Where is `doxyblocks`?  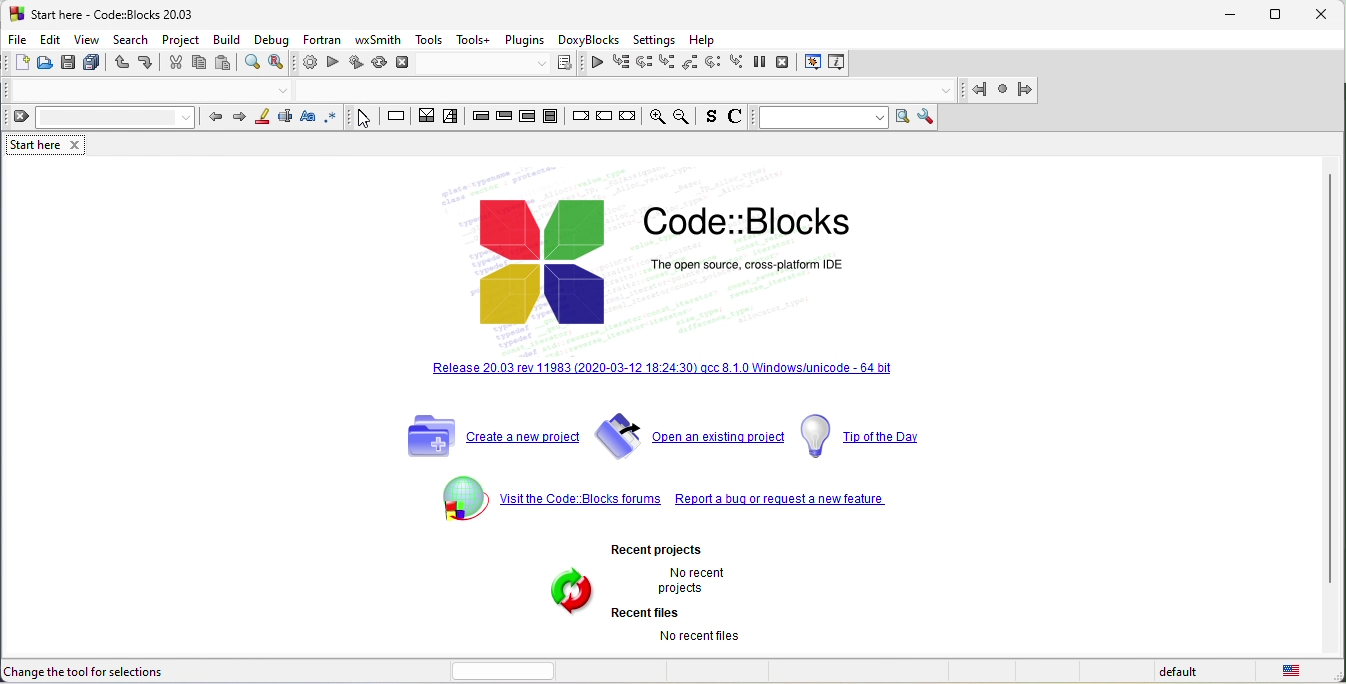
doxyblocks is located at coordinates (594, 41).